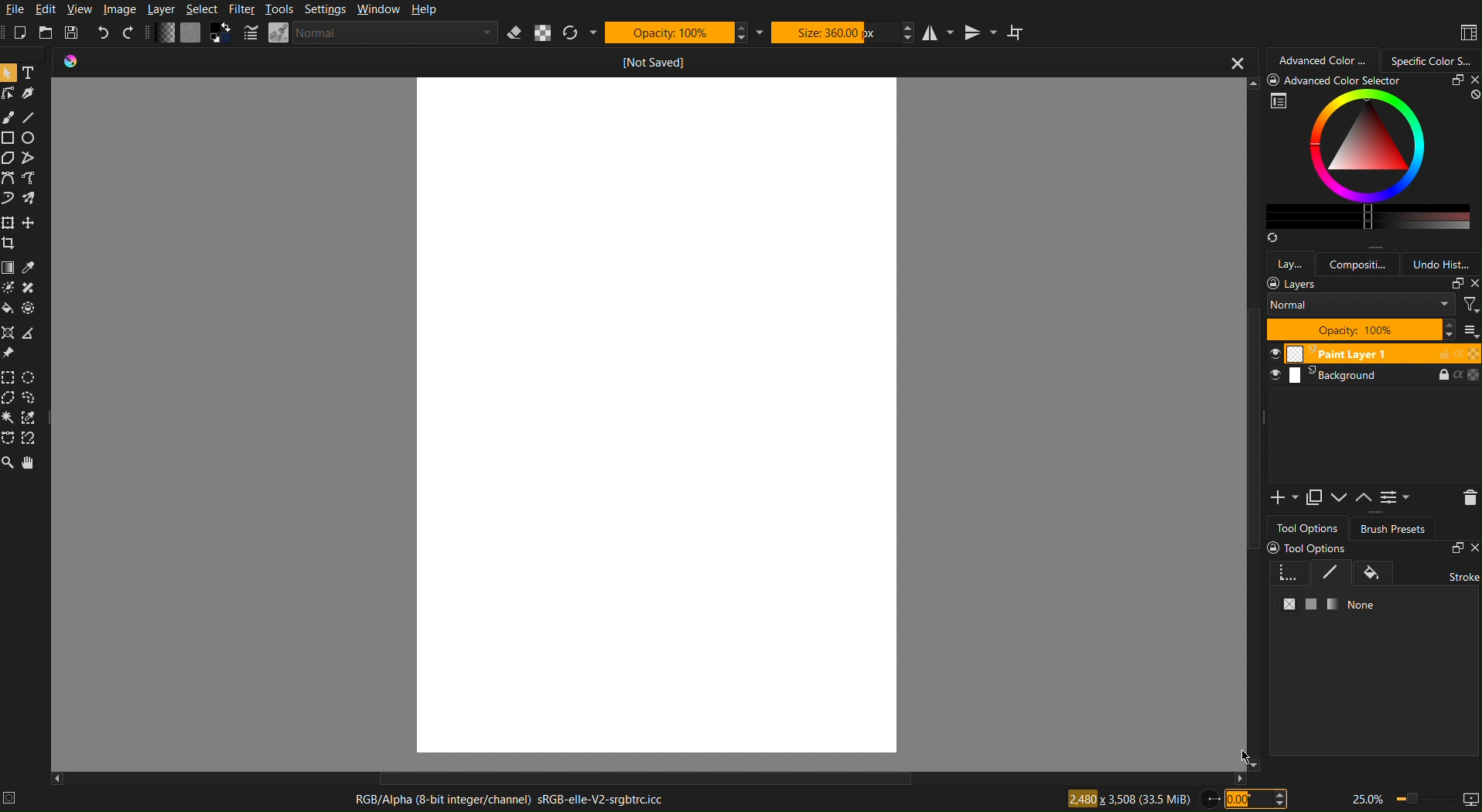 This screenshot has width=1482, height=812. Describe the element at coordinates (677, 32) in the screenshot. I see `Opacity` at that location.